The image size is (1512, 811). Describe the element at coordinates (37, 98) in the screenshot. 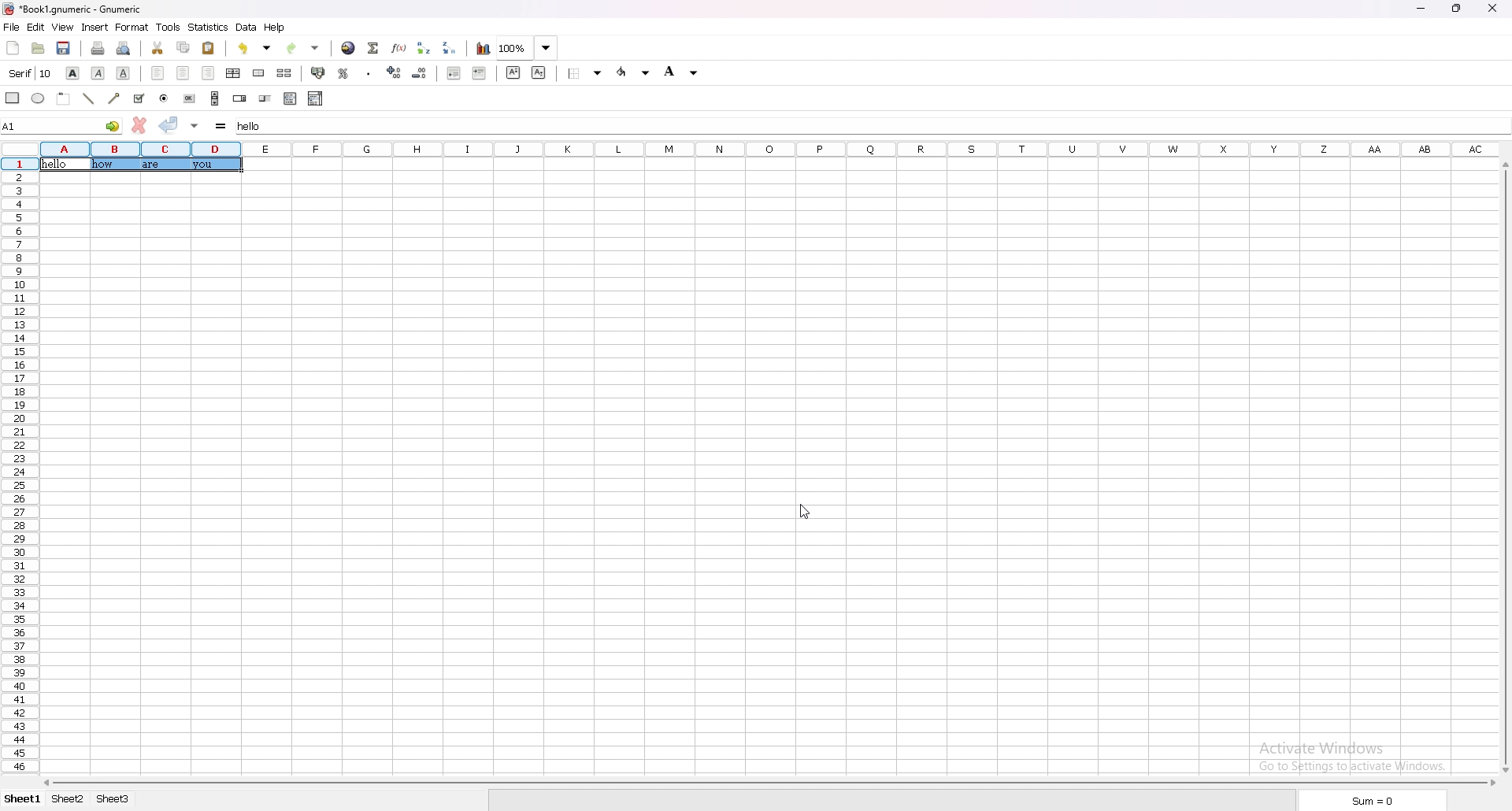

I see `ellipse` at that location.